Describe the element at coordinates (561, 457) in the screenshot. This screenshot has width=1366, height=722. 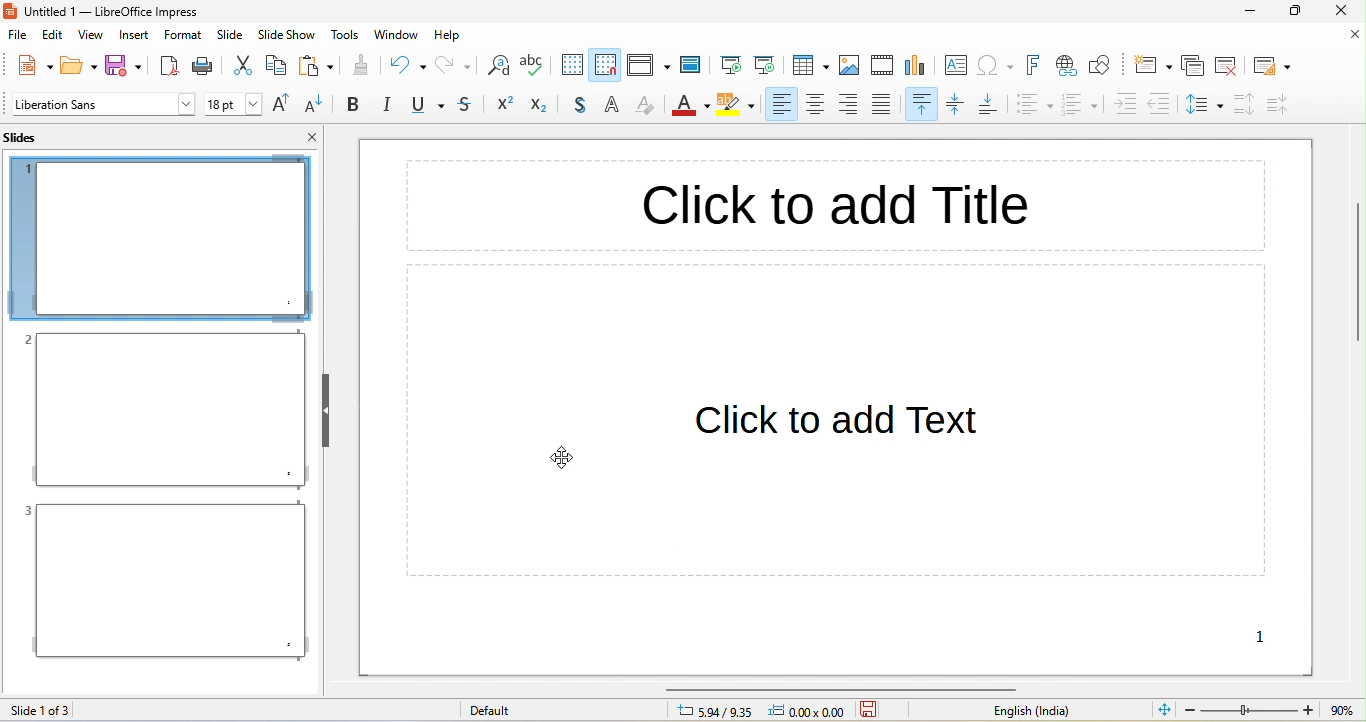
I see `cursor` at that location.